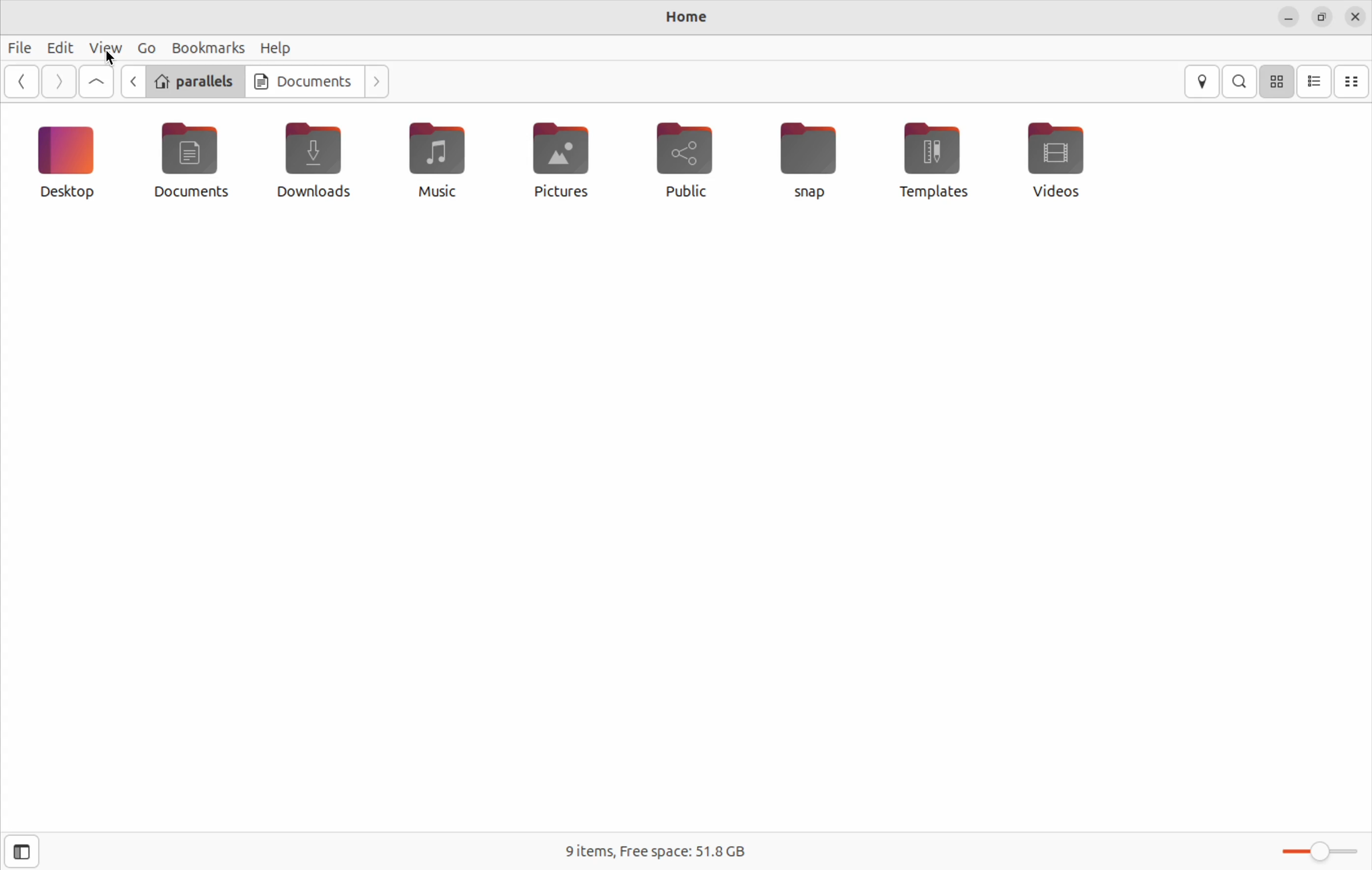 Image resolution: width=1372 pixels, height=870 pixels. Describe the element at coordinates (379, 83) in the screenshot. I see `Go next` at that location.